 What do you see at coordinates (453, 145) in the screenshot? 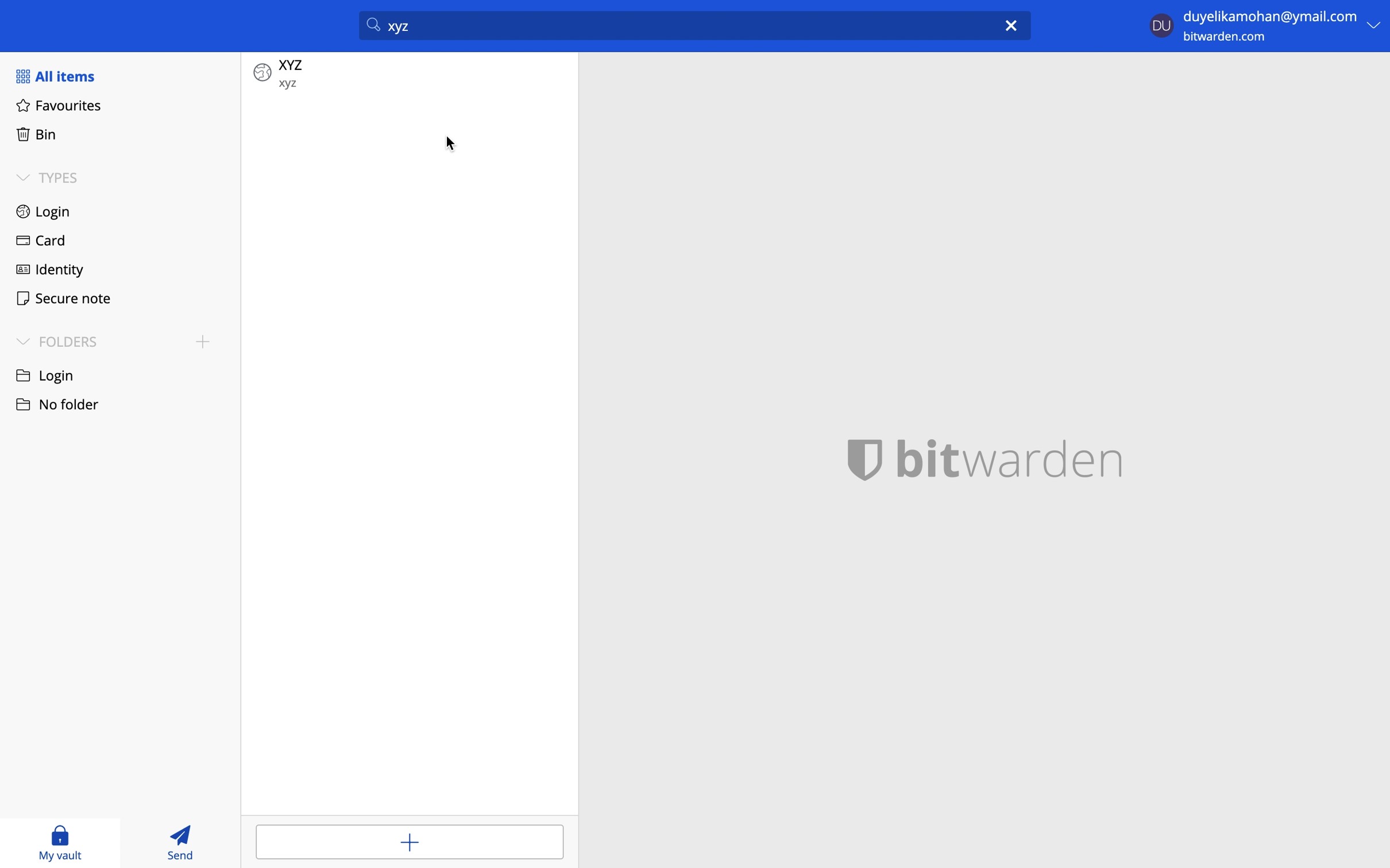
I see `cursor` at bounding box center [453, 145].